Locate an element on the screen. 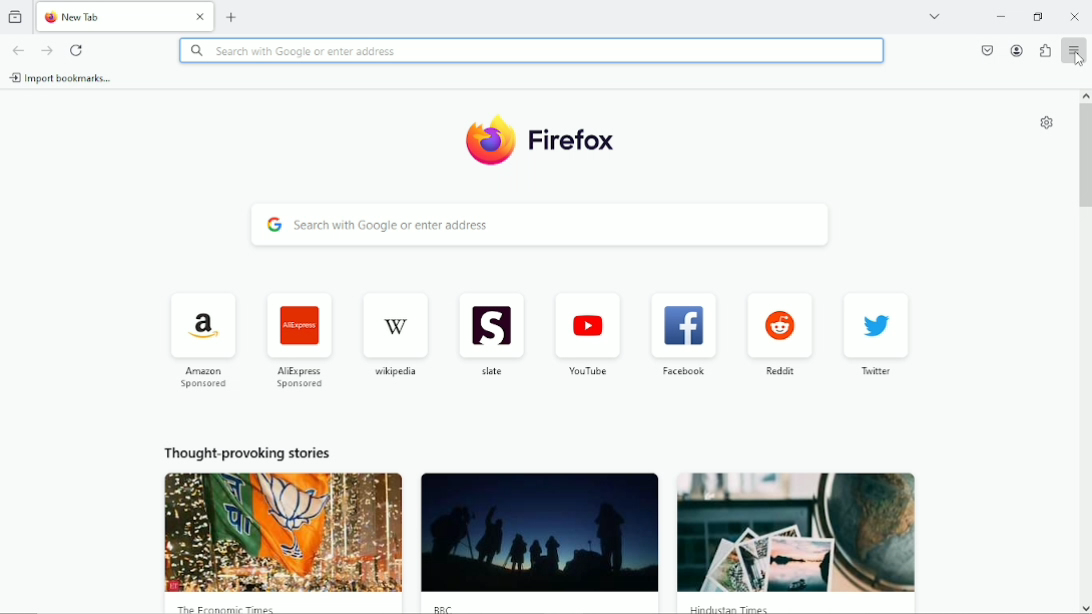  image is located at coordinates (284, 532).